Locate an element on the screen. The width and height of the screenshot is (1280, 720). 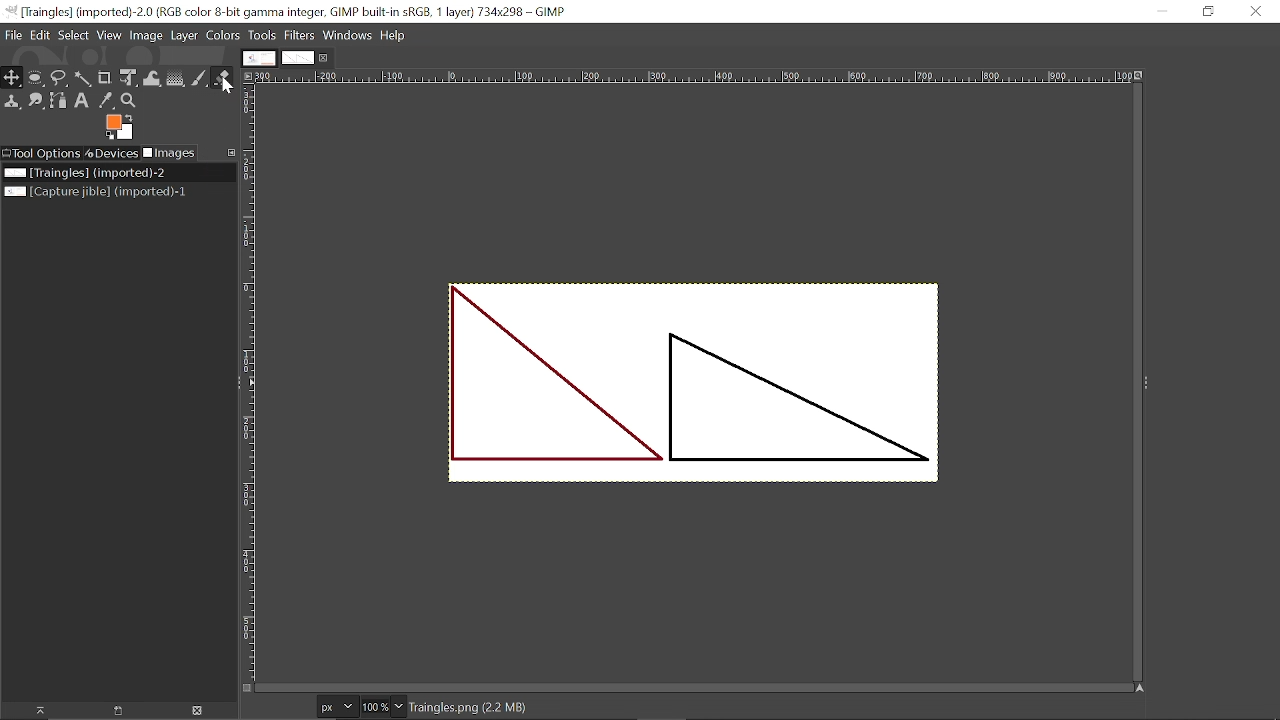
Path tool is located at coordinates (59, 102).